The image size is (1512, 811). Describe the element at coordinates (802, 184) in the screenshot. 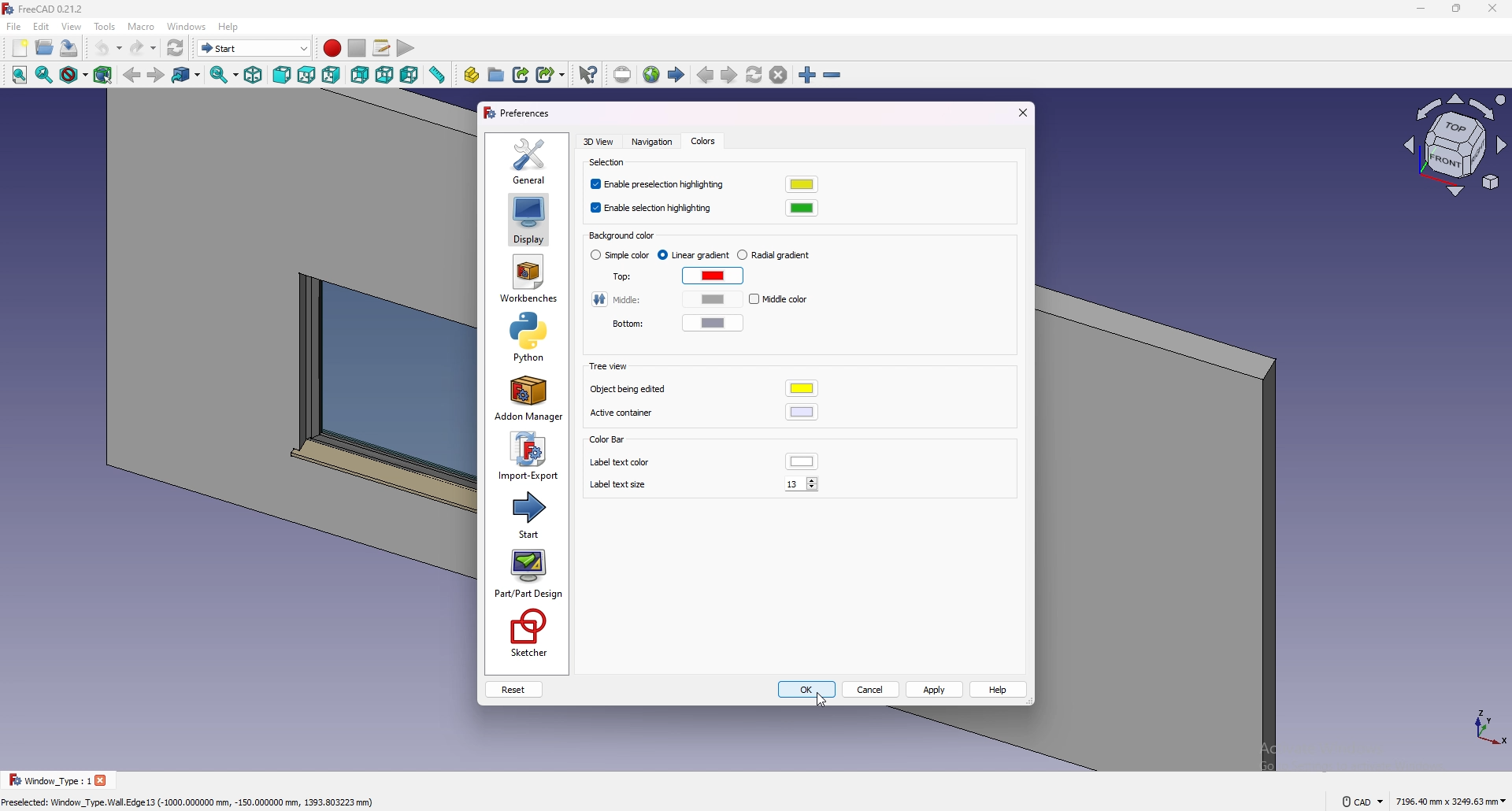

I see `preselection highlighting color` at that location.